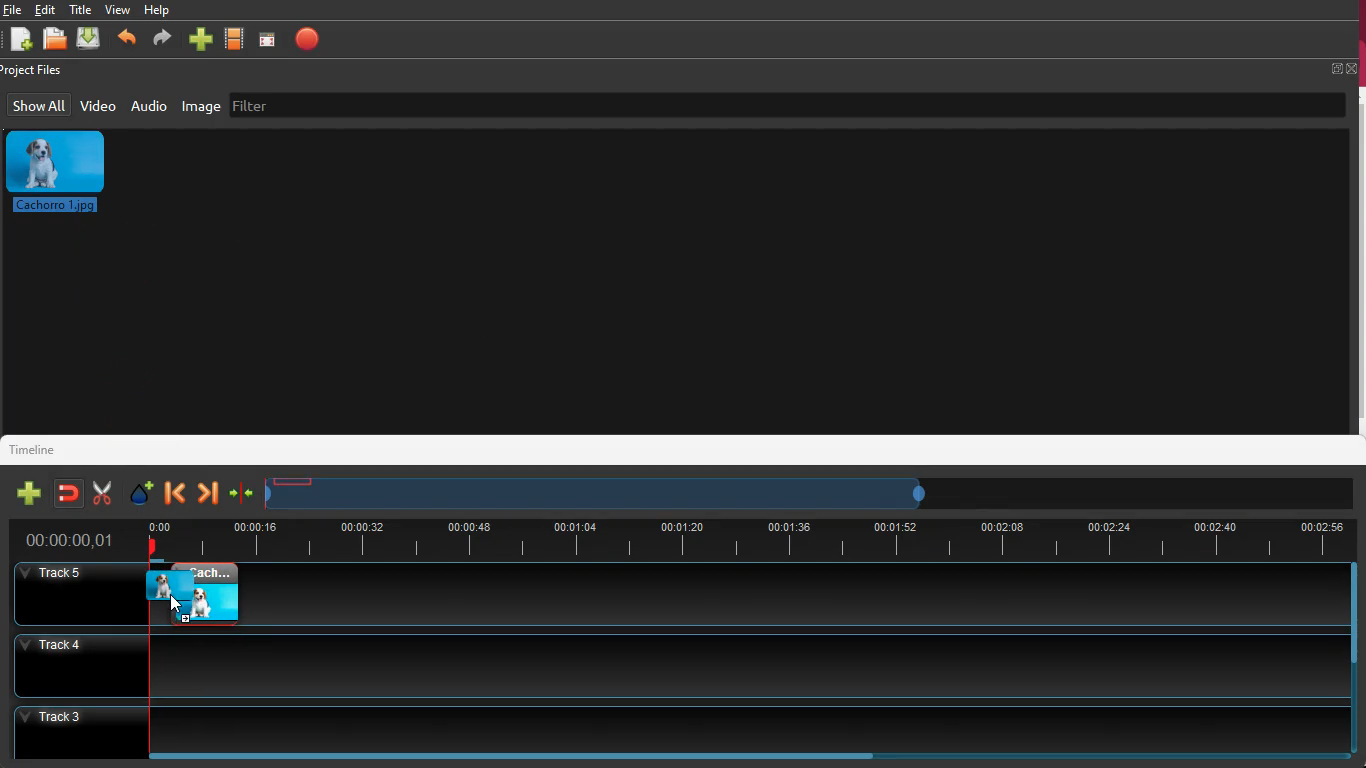  What do you see at coordinates (802, 594) in the screenshot?
I see `track` at bounding box center [802, 594].